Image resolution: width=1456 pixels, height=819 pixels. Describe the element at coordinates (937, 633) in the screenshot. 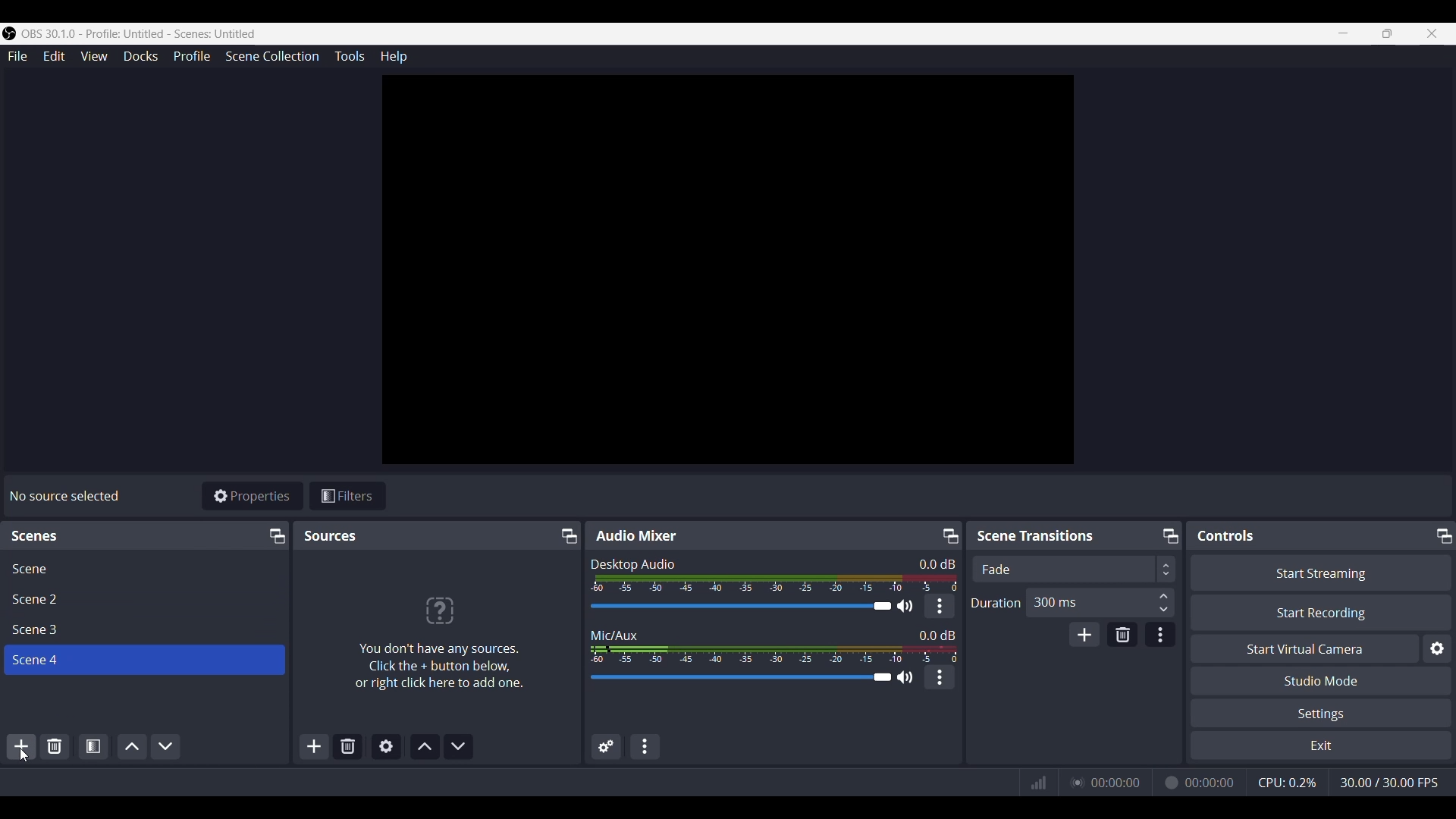

I see `Text` at that location.